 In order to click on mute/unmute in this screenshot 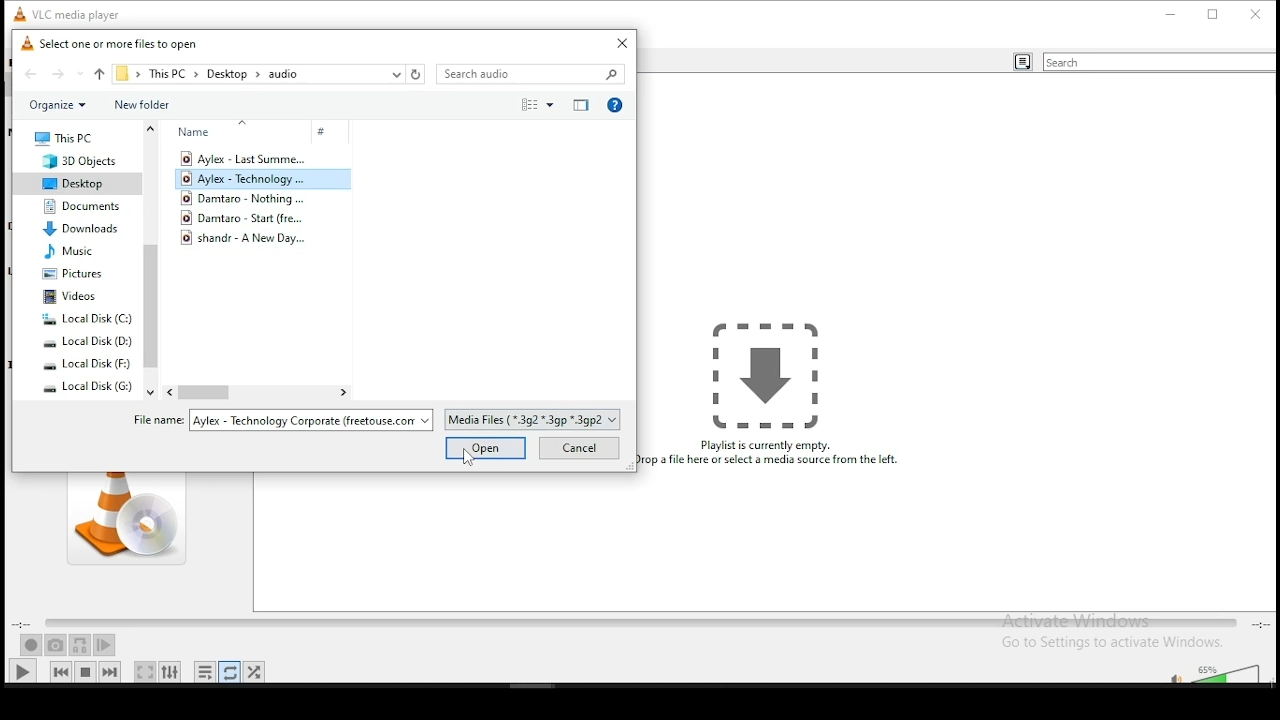, I will do `click(1171, 675)`.